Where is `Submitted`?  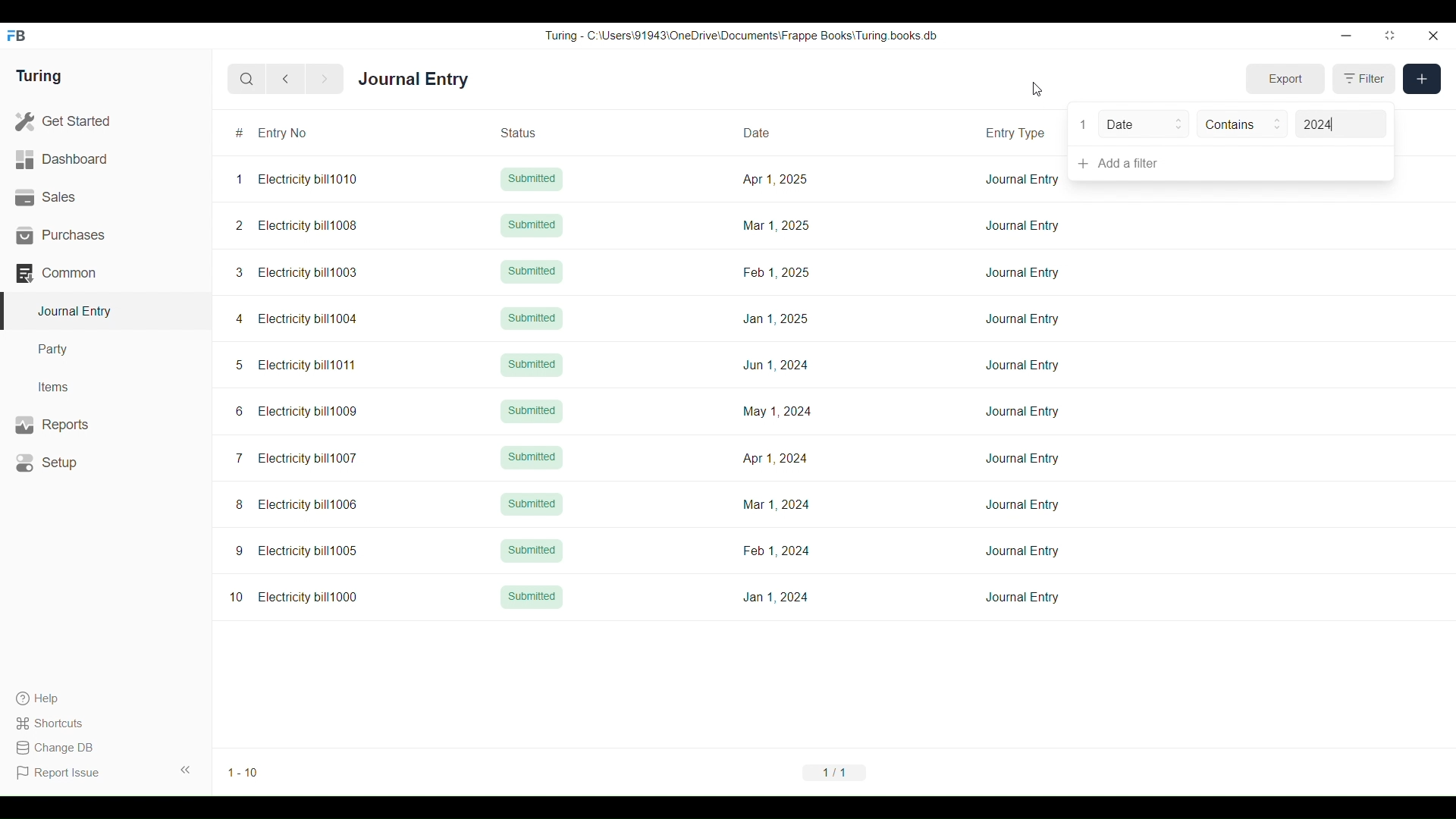 Submitted is located at coordinates (532, 225).